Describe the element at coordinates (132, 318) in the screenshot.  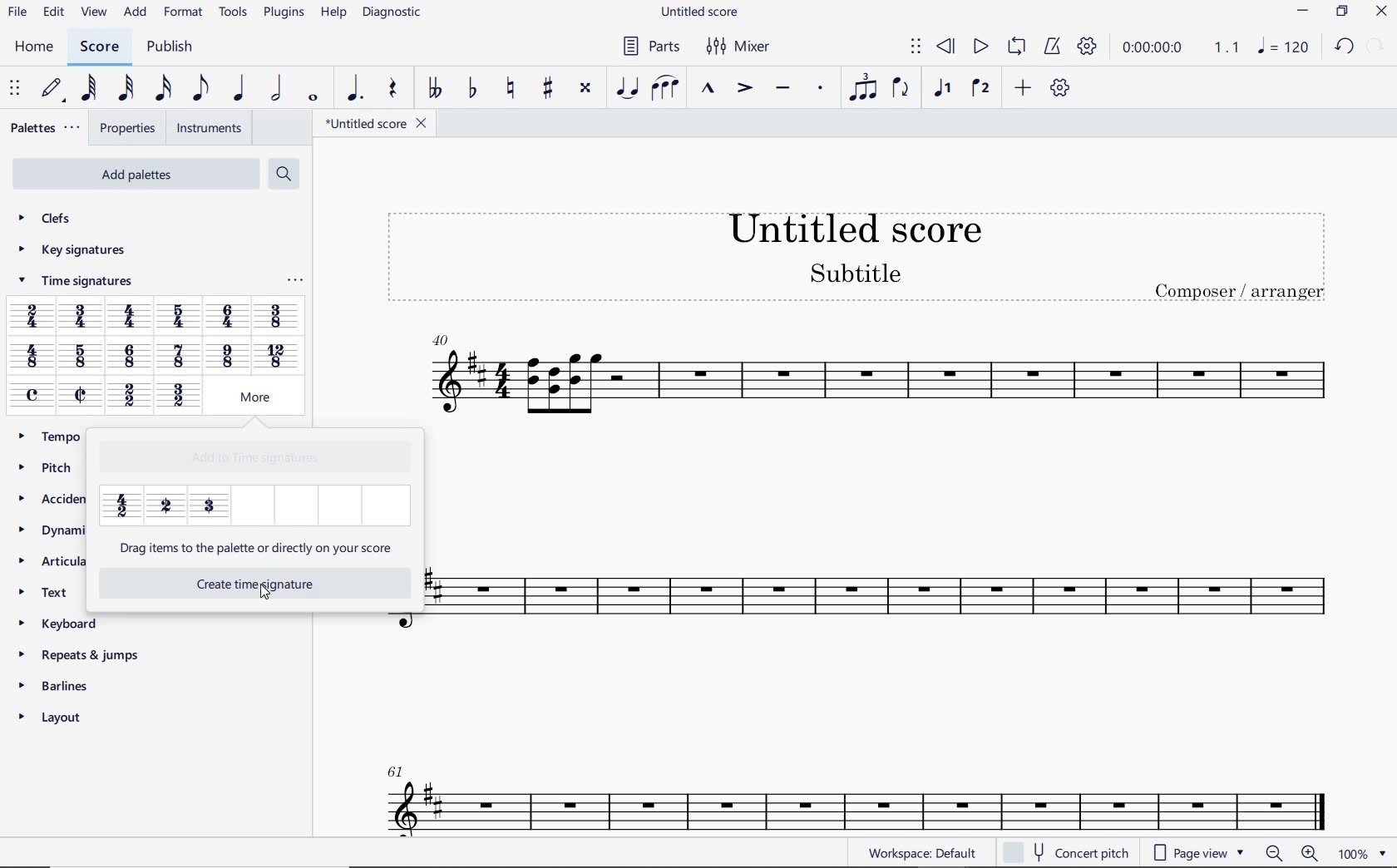
I see `4/4` at that location.